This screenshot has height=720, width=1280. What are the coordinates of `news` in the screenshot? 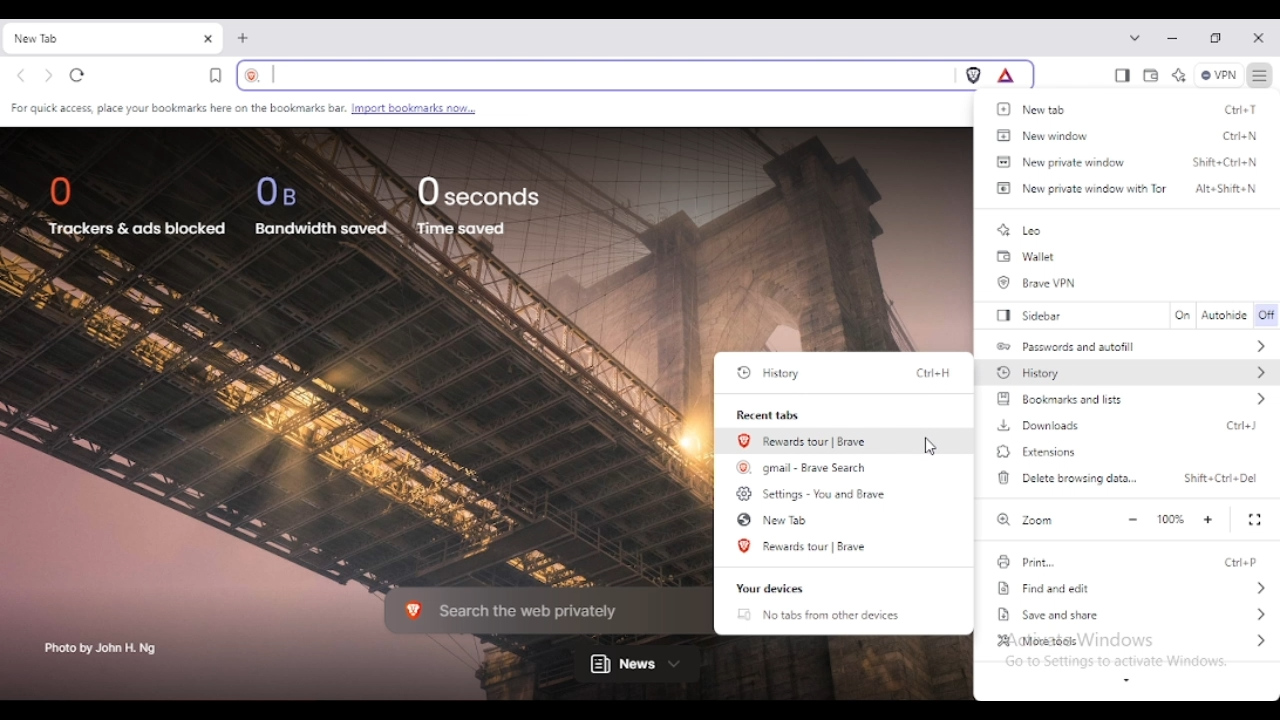 It's located at (637, 665).